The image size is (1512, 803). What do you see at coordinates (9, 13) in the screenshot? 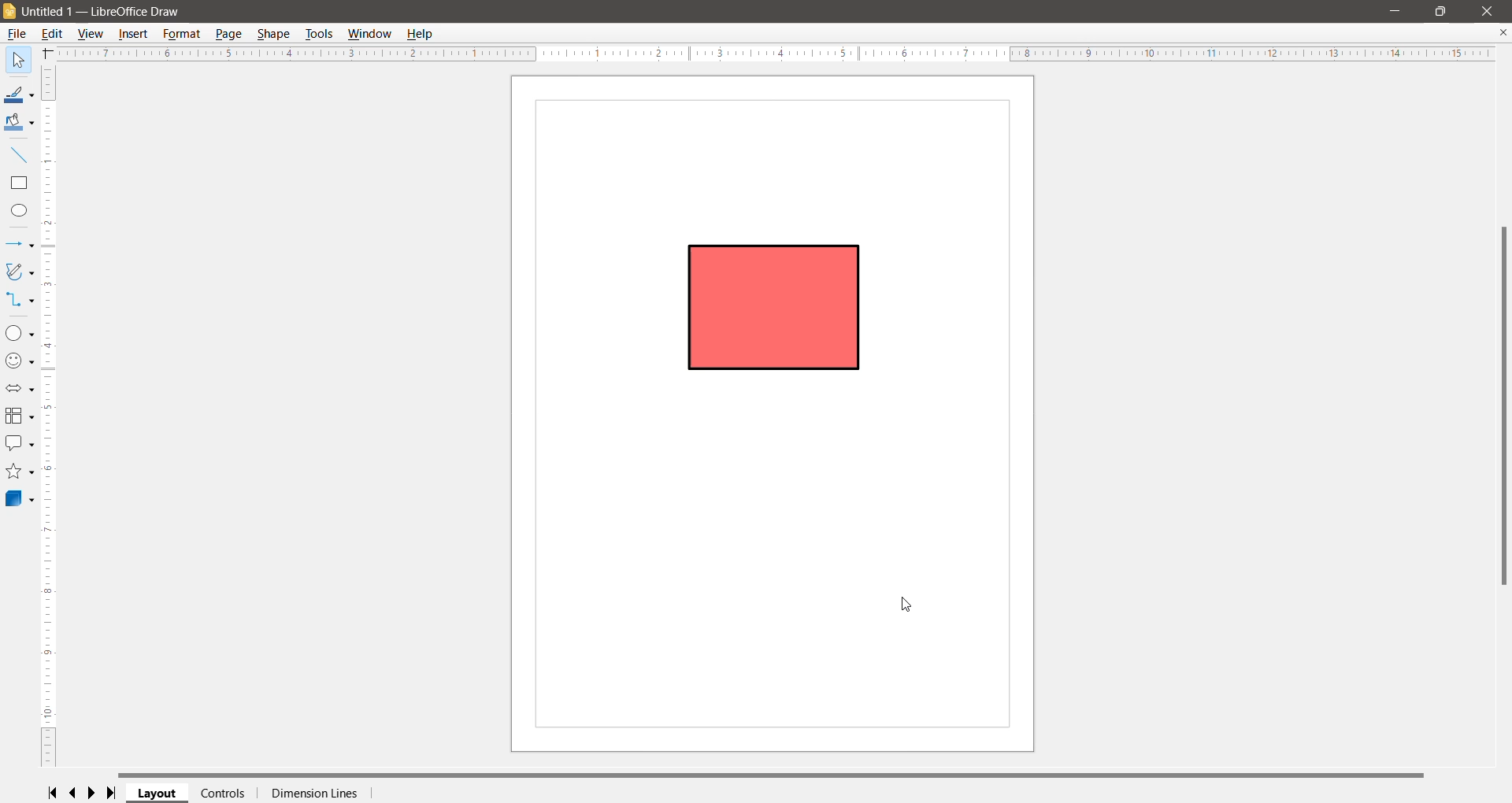
I see `Application Logo` at bounding box center [9, 13].